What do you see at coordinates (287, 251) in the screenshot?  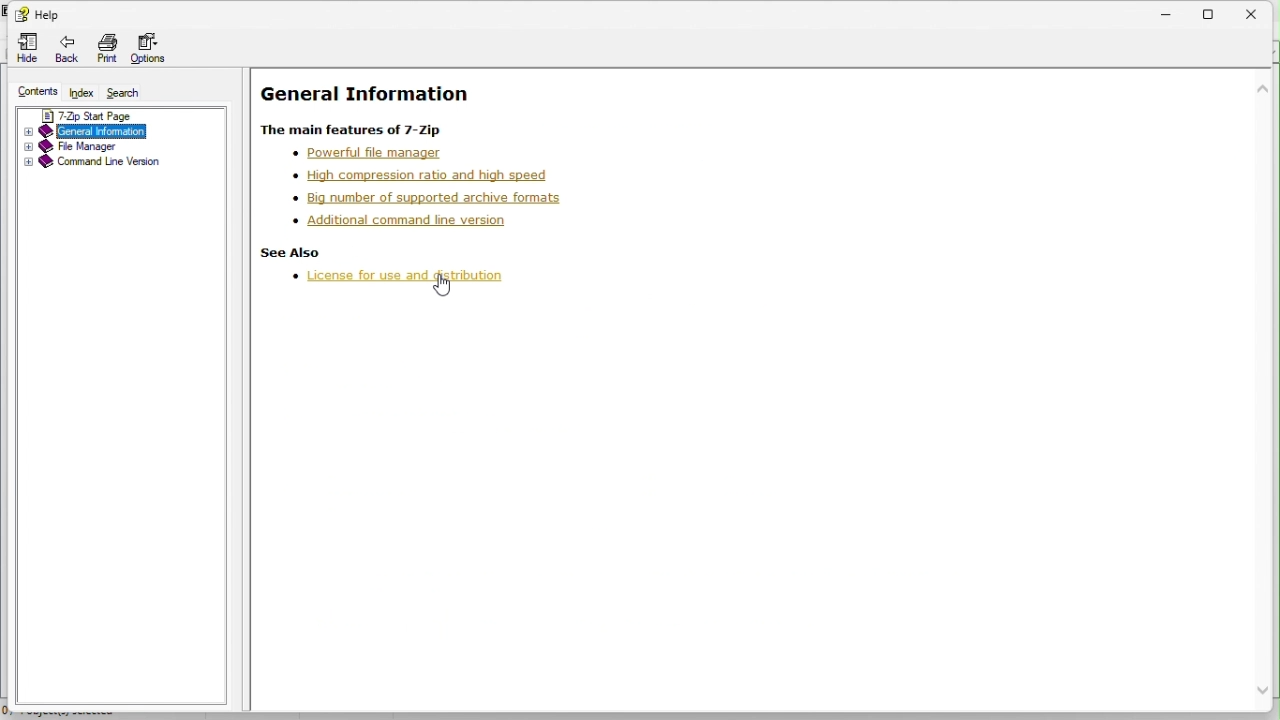 I see `see also` at bounding box center [287, 251].